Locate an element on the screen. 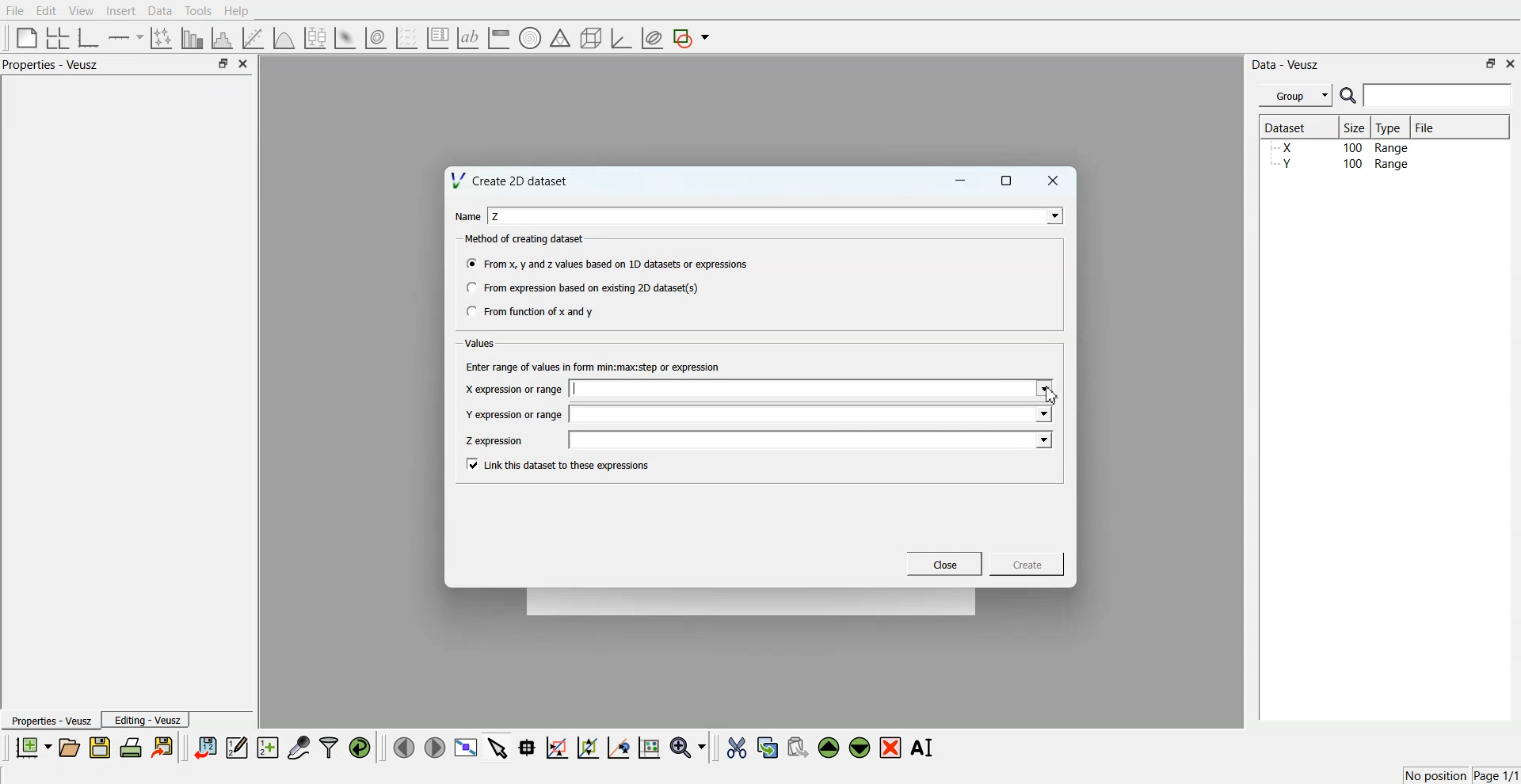 The height and width of the screenshot is (784, 1521). Close is located at coordinates (244, 63).